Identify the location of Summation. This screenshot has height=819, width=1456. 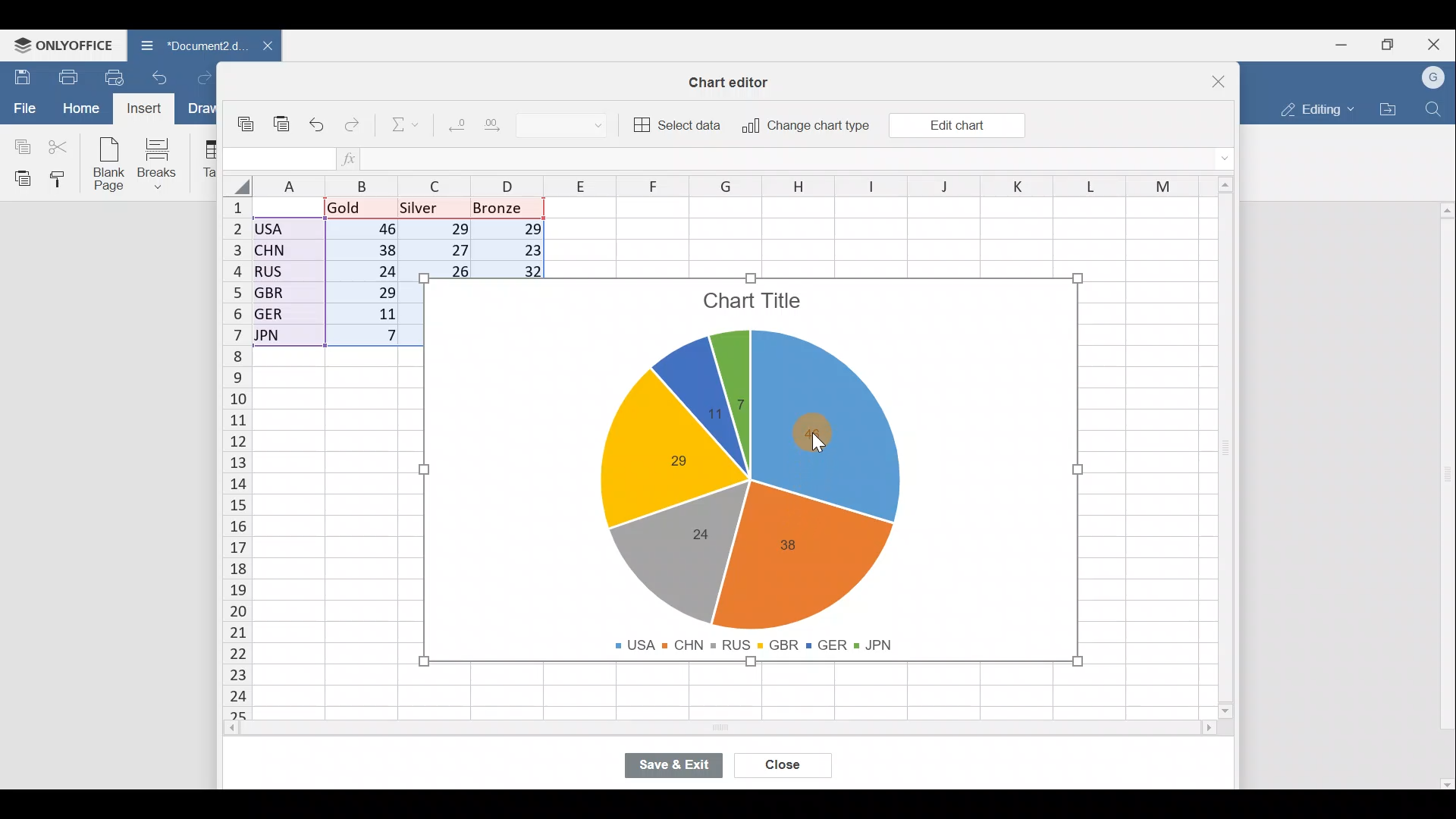
(406, 122).